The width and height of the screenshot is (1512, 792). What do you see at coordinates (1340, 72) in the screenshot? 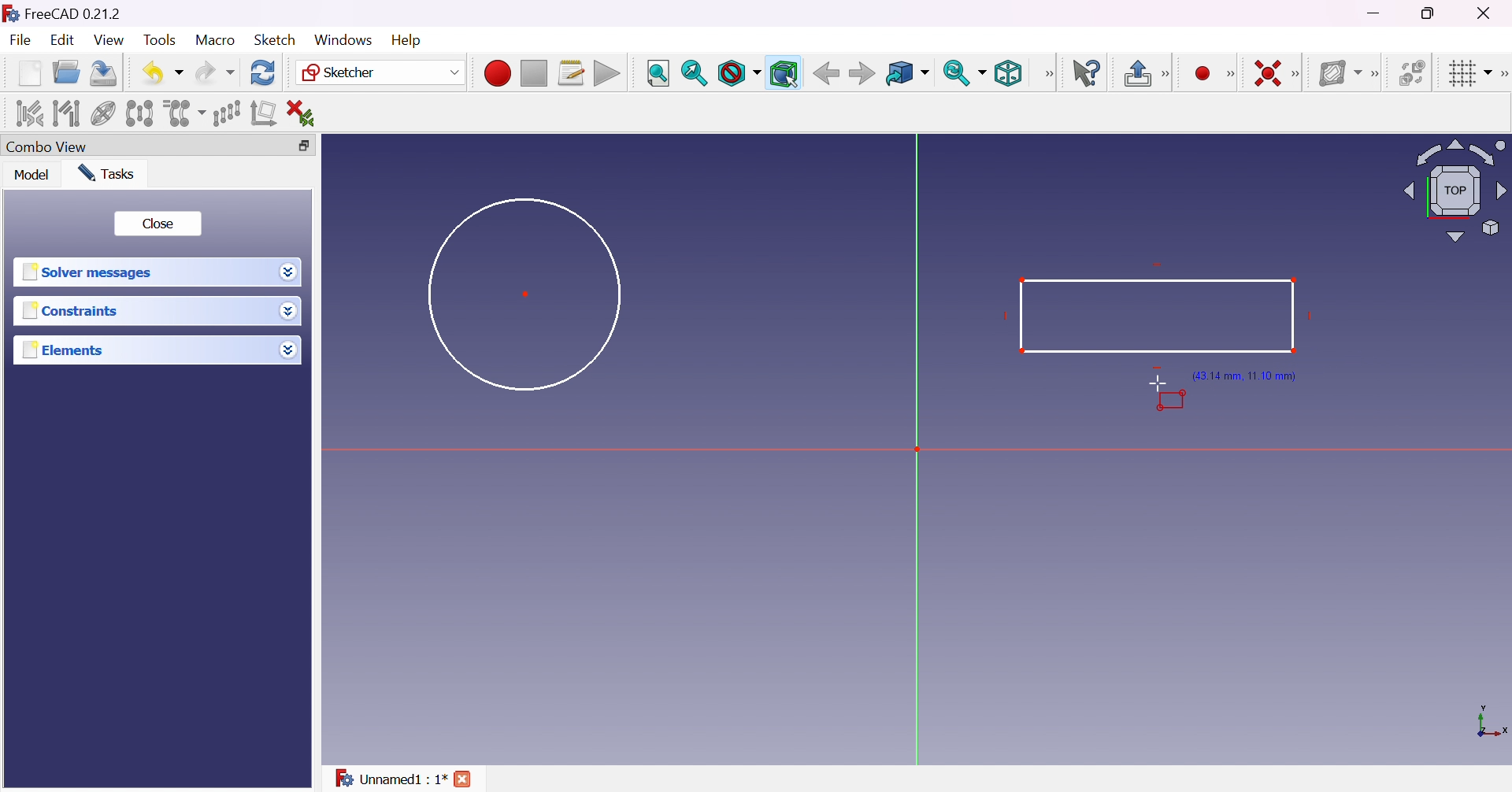
I see `Show/hide B-spline information layer` at bounding box center [1340, 72].